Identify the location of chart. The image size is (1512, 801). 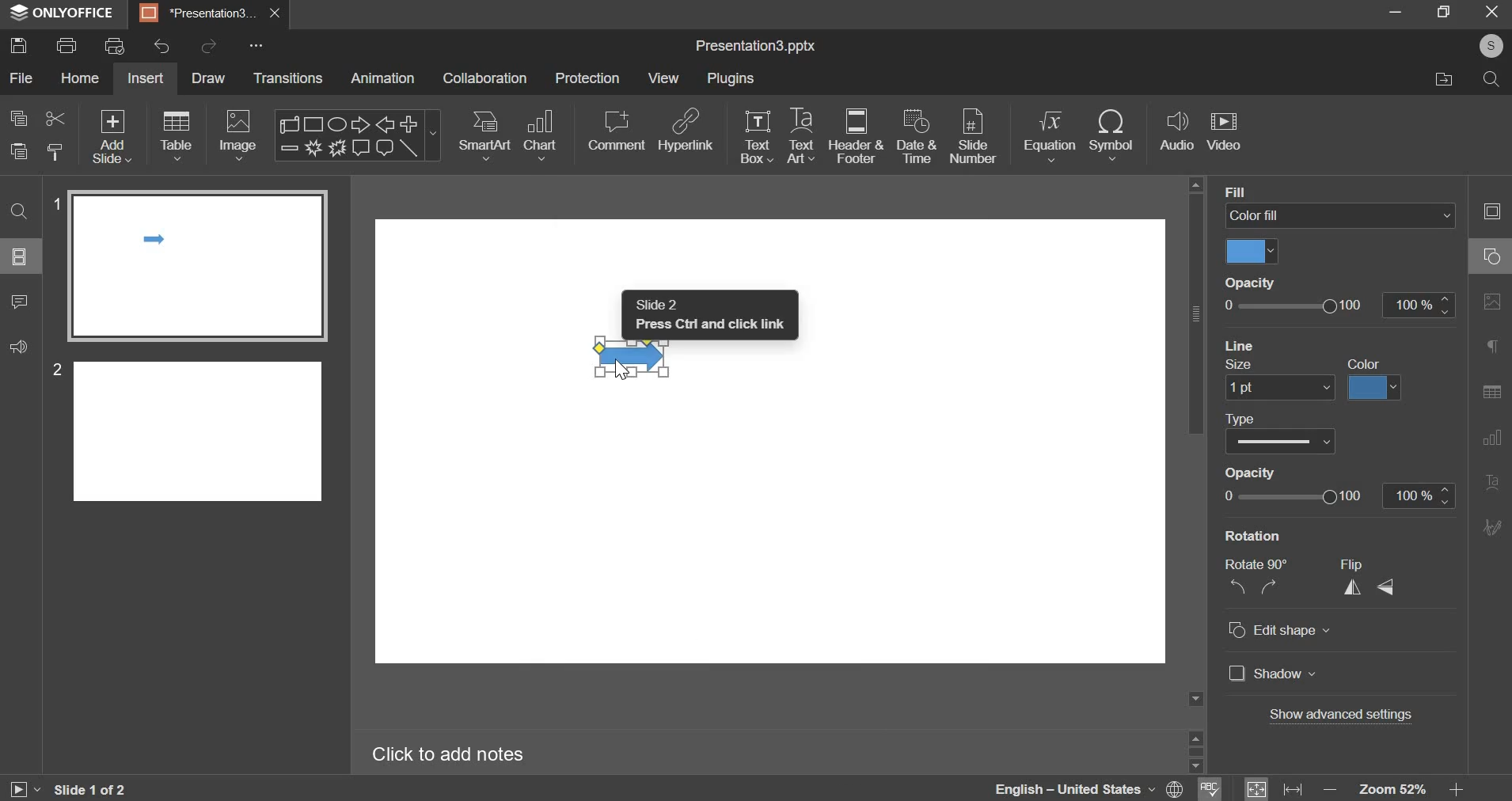
(542, 135).